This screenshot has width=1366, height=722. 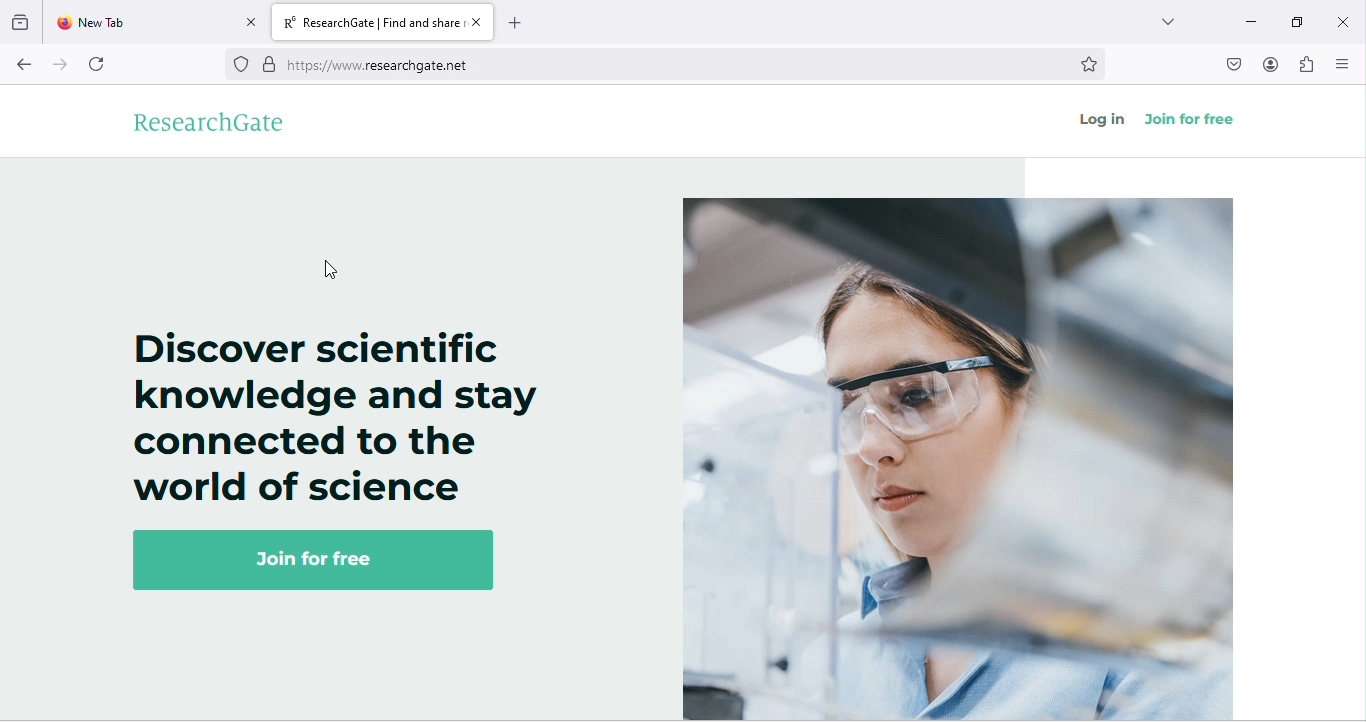 I want to click on join for free, so click(x=1191, y=115).